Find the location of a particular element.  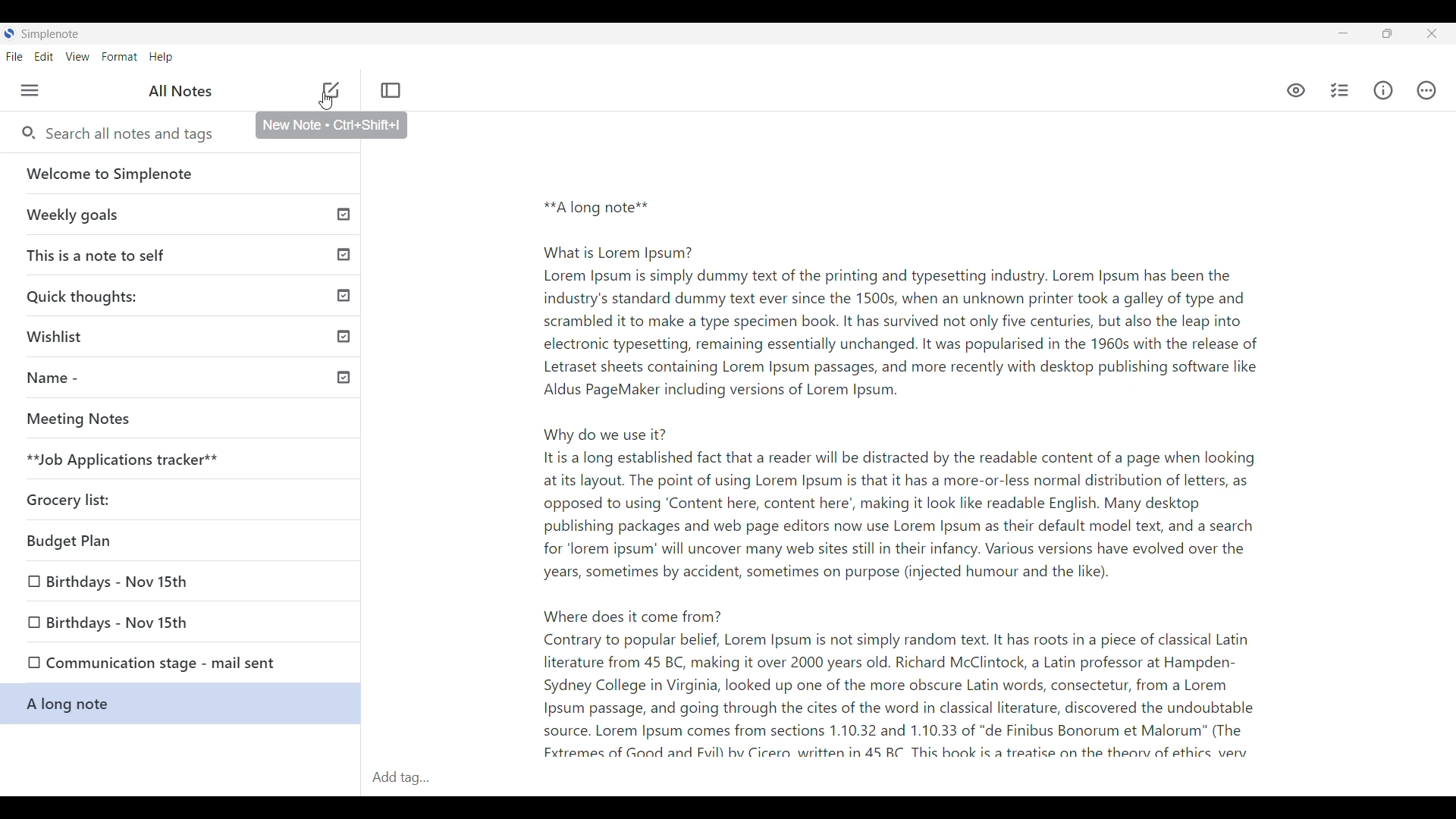

Name is located at coordinates (187, 375).